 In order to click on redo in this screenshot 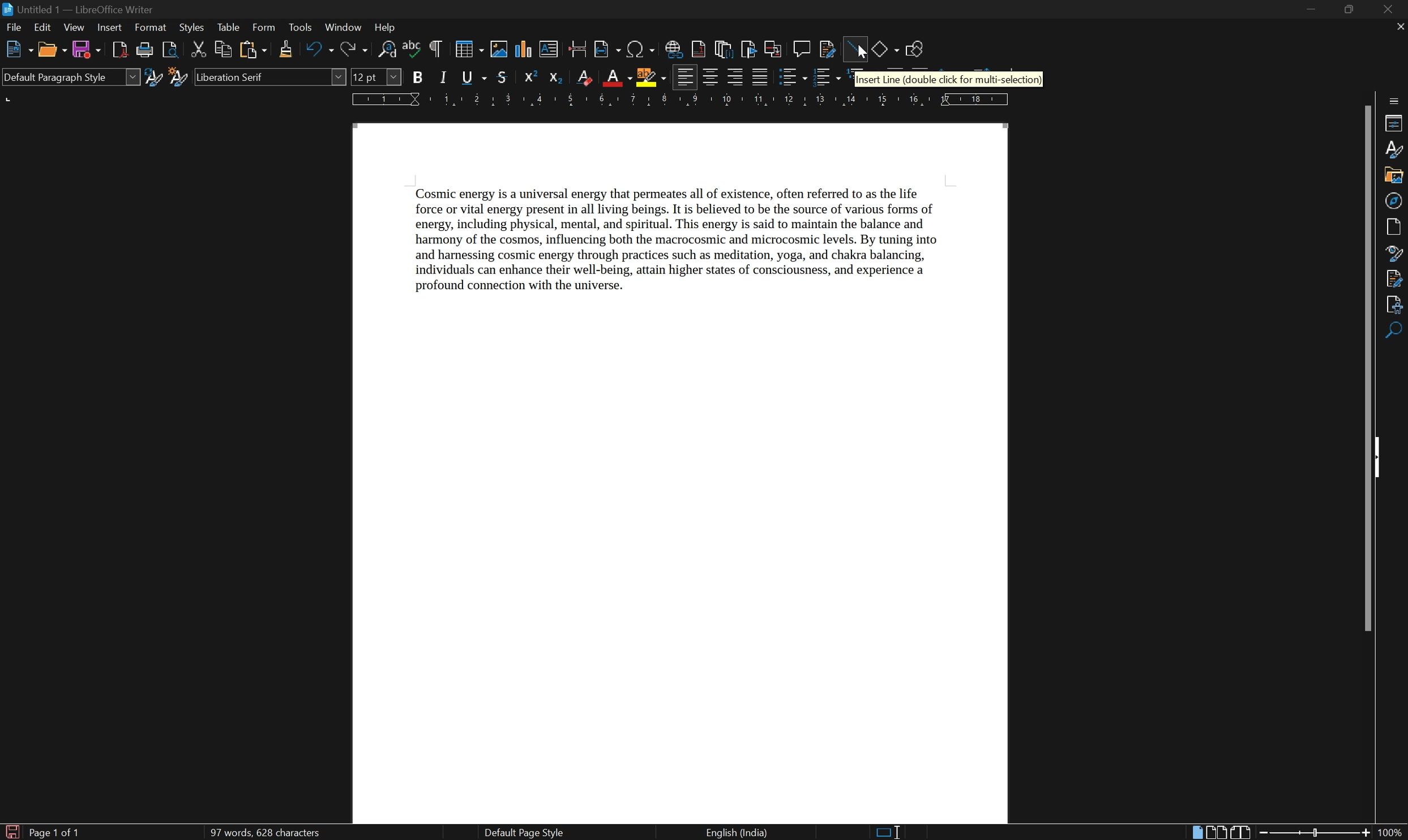, I will do `click(357, 50)`.